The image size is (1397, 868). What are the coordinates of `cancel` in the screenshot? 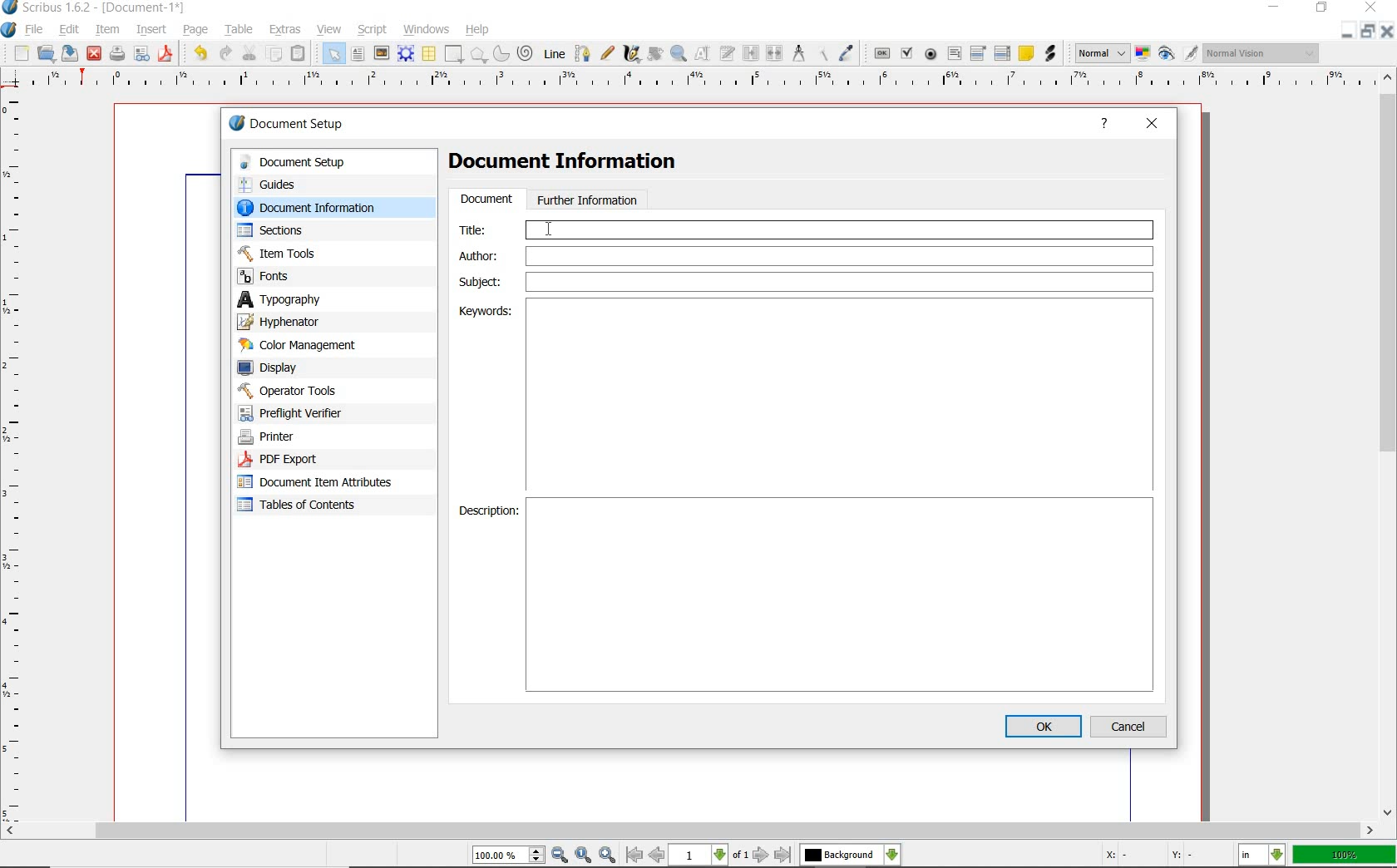 It's located at (1131, 726).